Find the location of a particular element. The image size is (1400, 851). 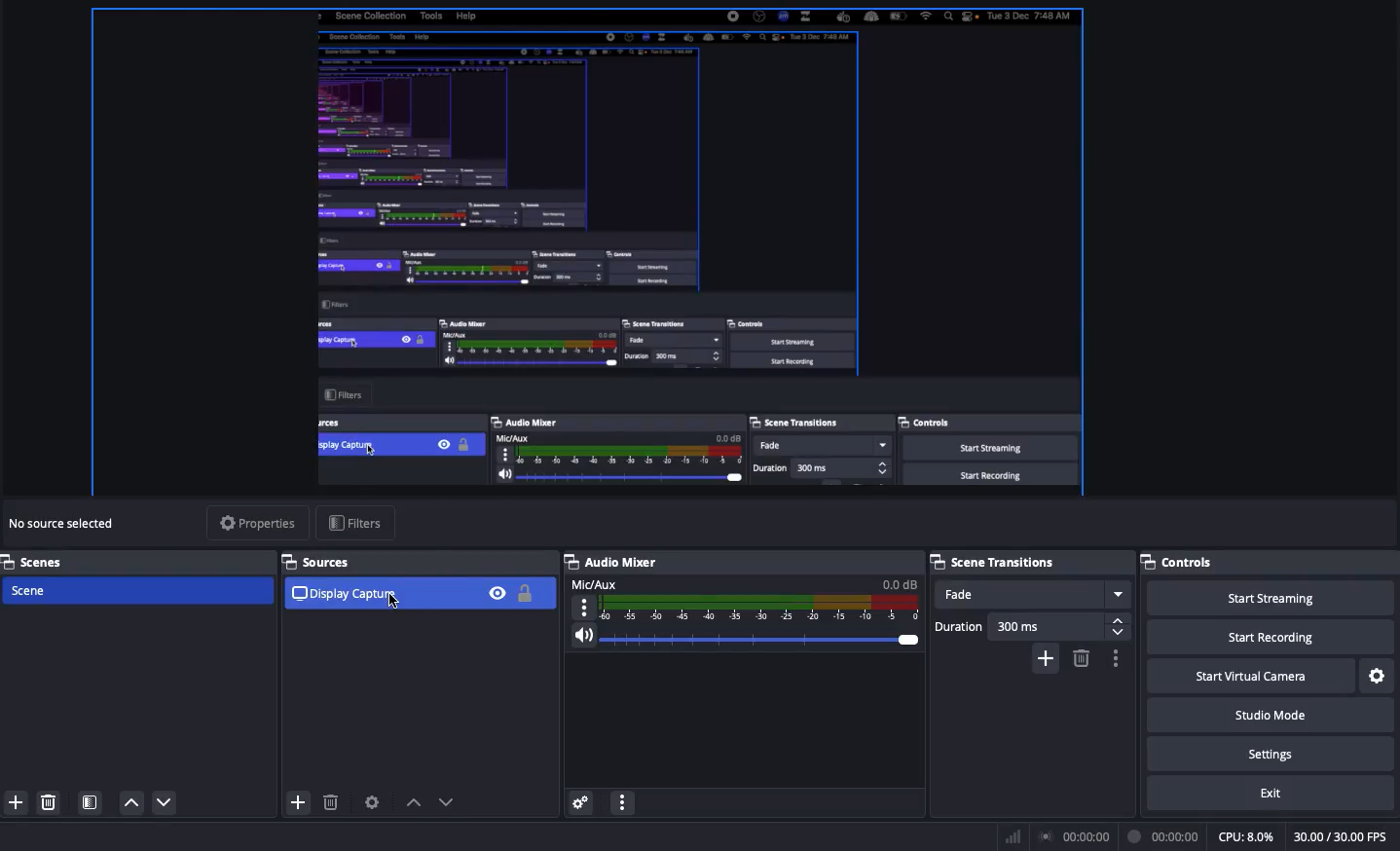

Visible is located at coordinates (498, 591).